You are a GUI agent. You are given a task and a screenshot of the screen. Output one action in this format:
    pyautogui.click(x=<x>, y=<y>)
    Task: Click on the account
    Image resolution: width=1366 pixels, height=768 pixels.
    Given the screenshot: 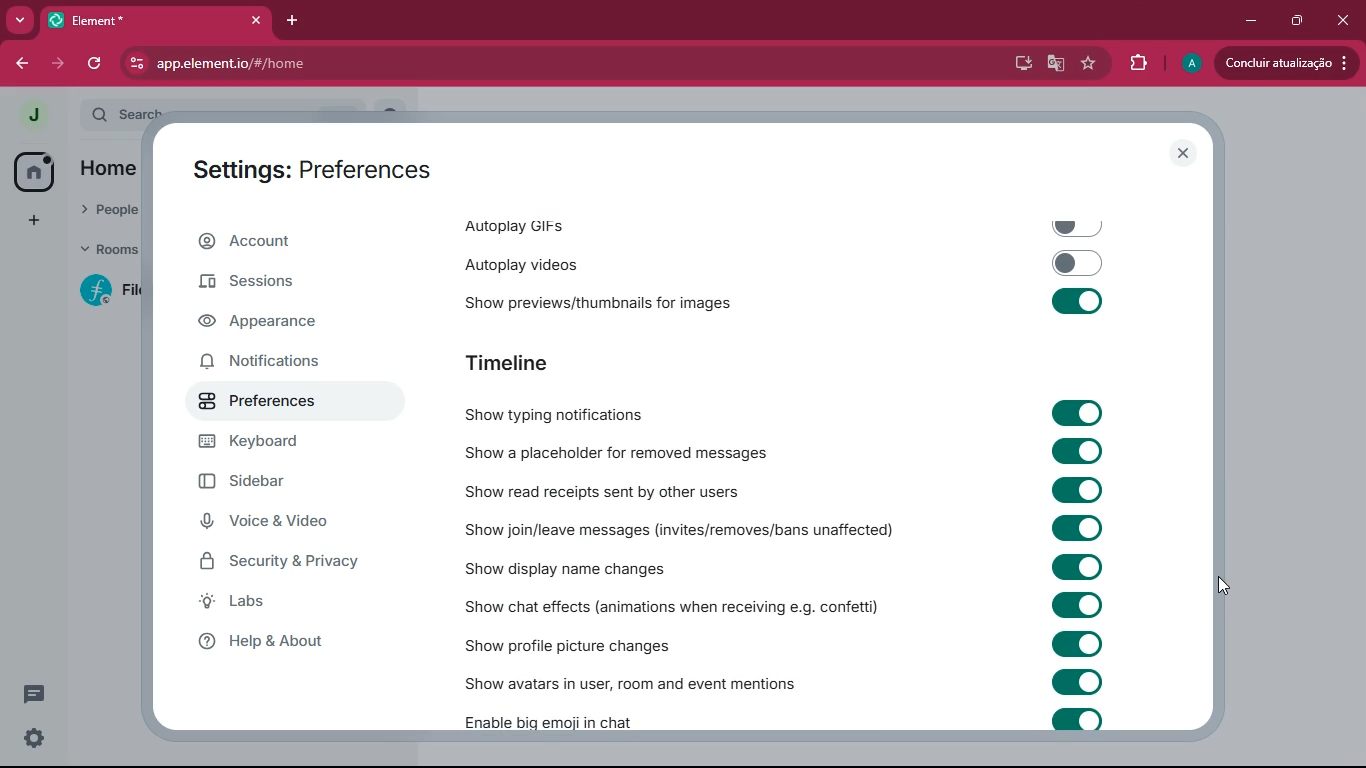 What is the action you would take?
    pyautogui.click(x=296, y=244)
    